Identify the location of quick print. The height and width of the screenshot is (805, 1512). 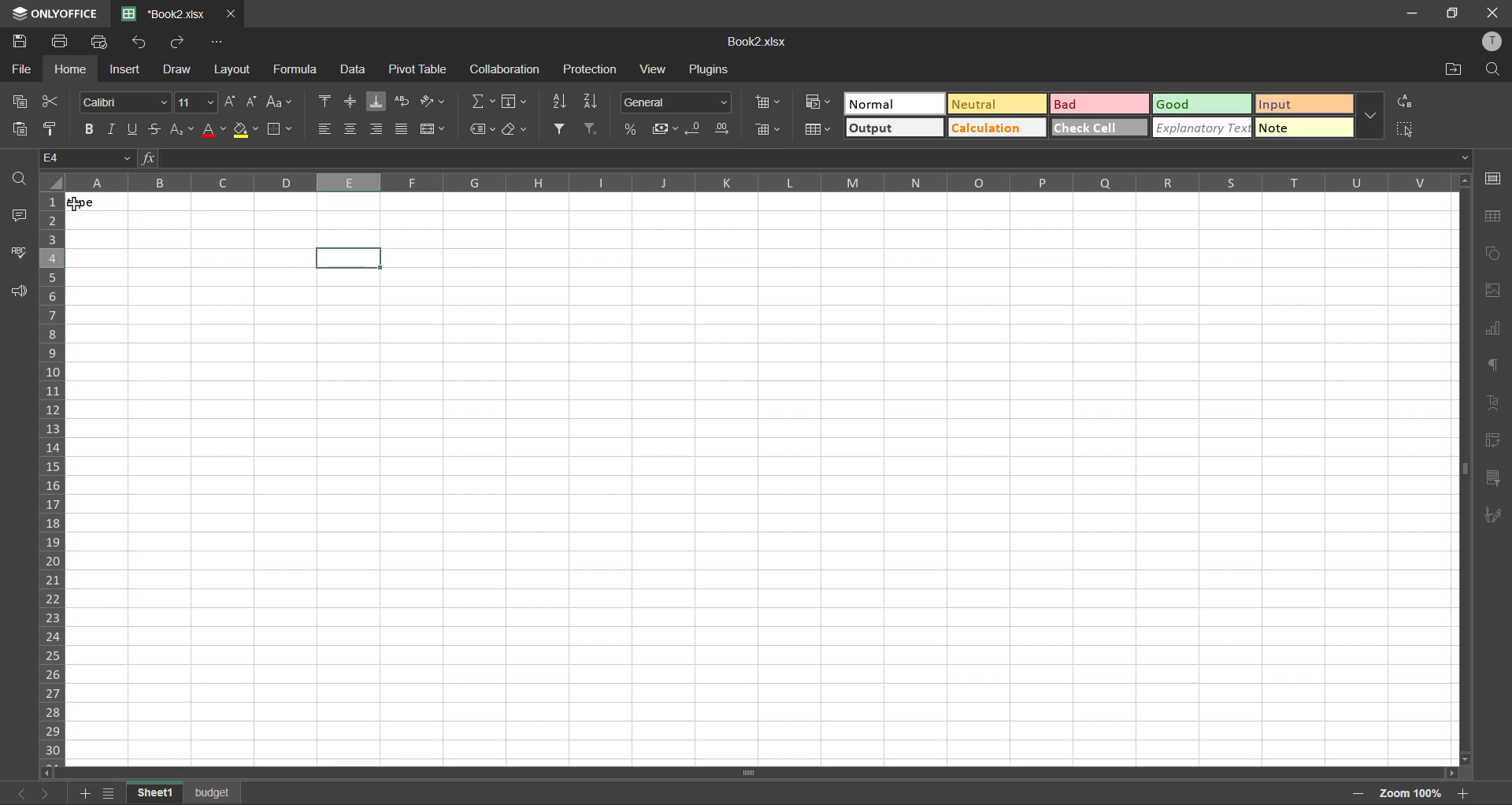
(102, 43).